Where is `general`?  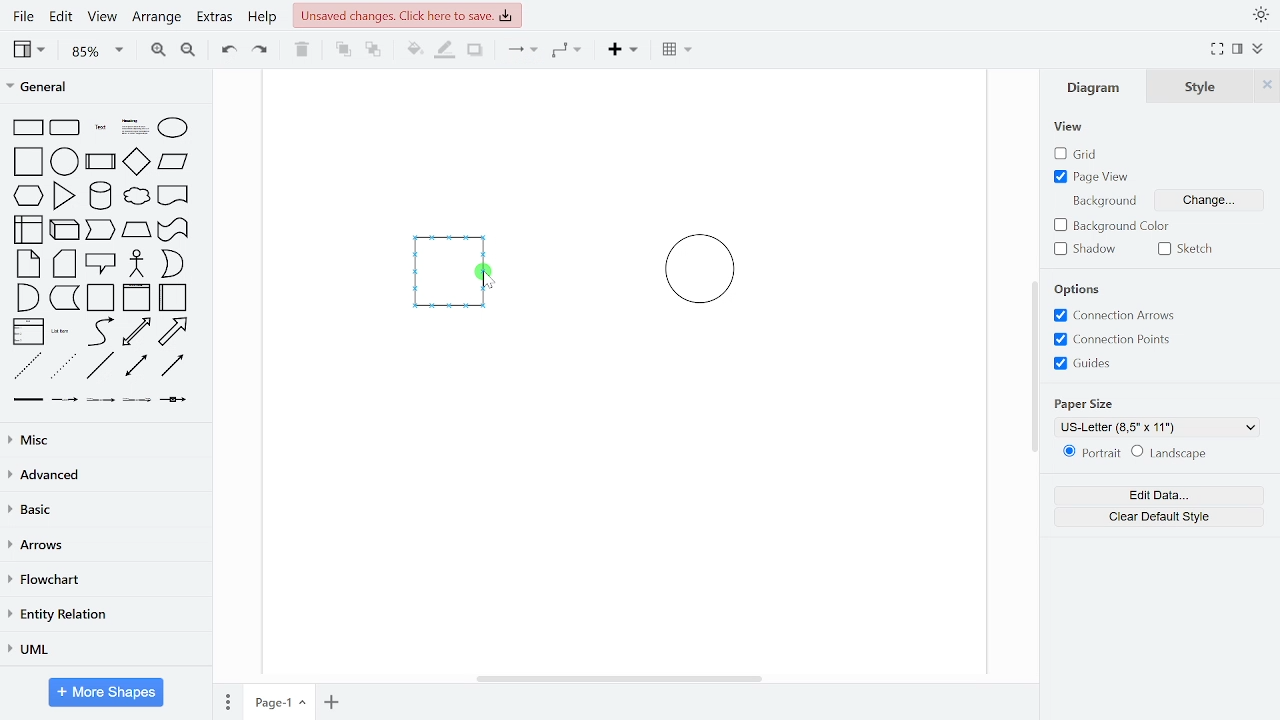 general is located at coordinates (107, 89).